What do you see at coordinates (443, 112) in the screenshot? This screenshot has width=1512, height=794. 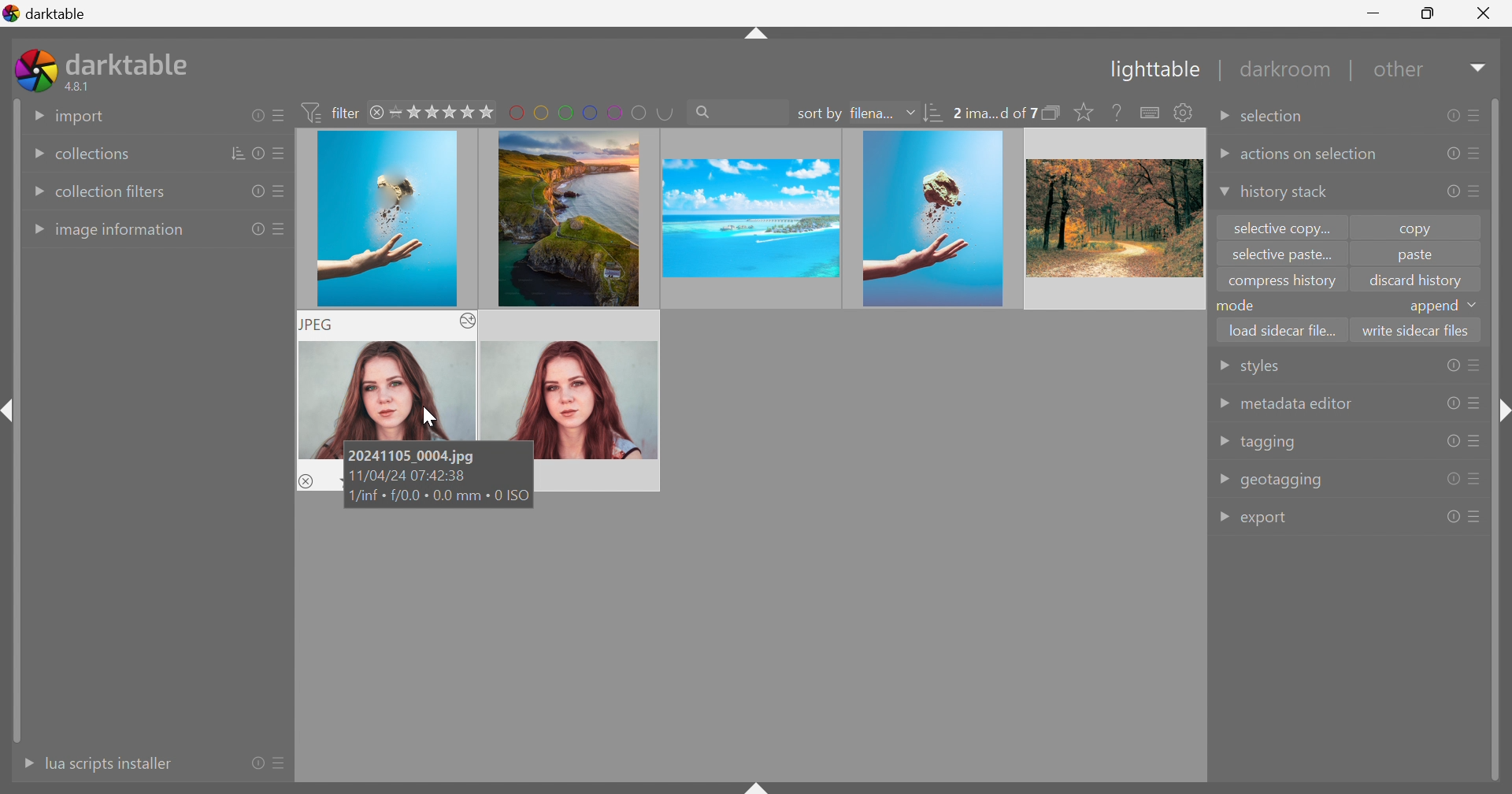 I see `range rating` at bounding box center [443, 112].